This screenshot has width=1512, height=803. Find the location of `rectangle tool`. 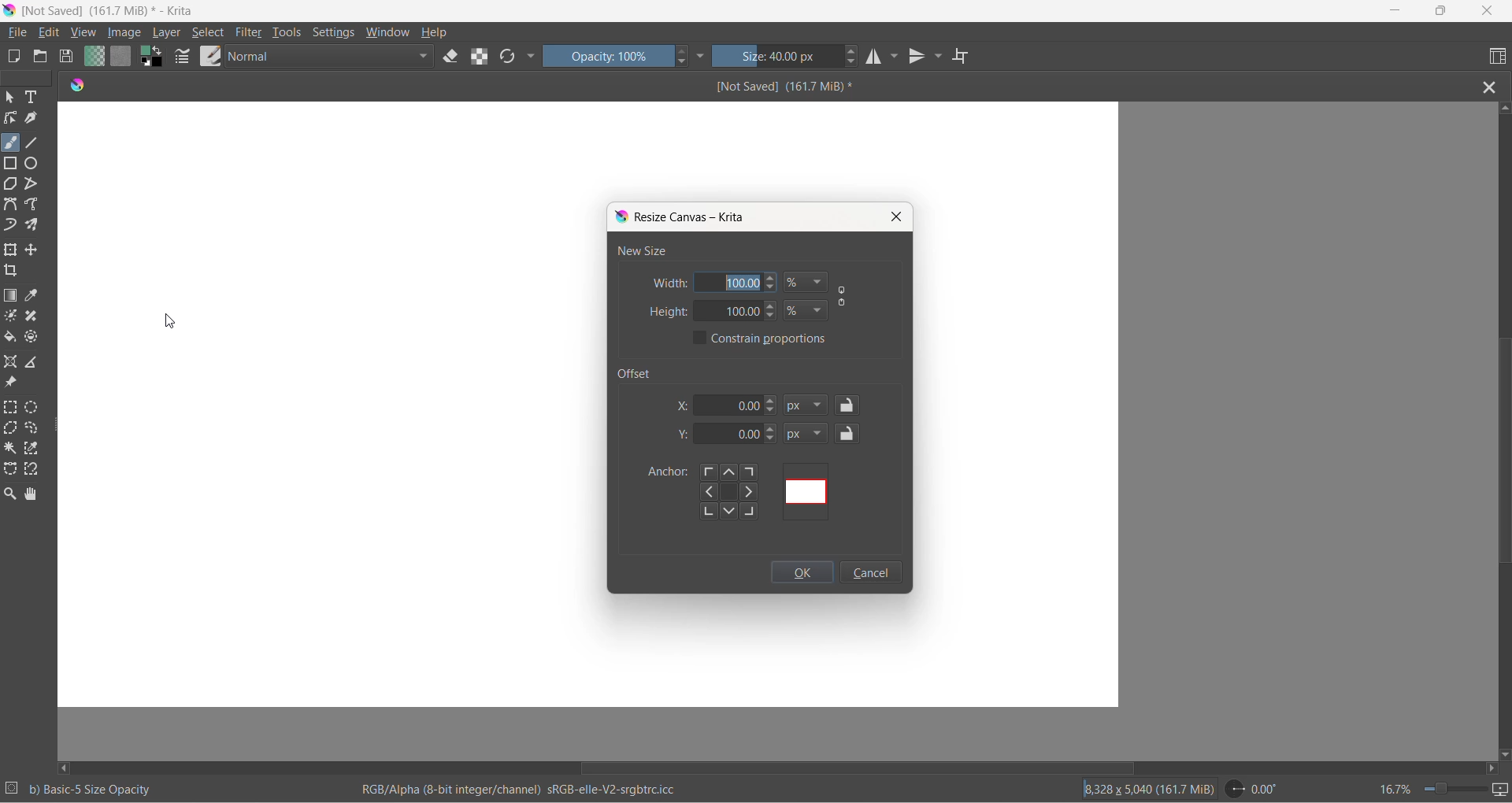

rectangle tool is located at coordinates (13, 162).